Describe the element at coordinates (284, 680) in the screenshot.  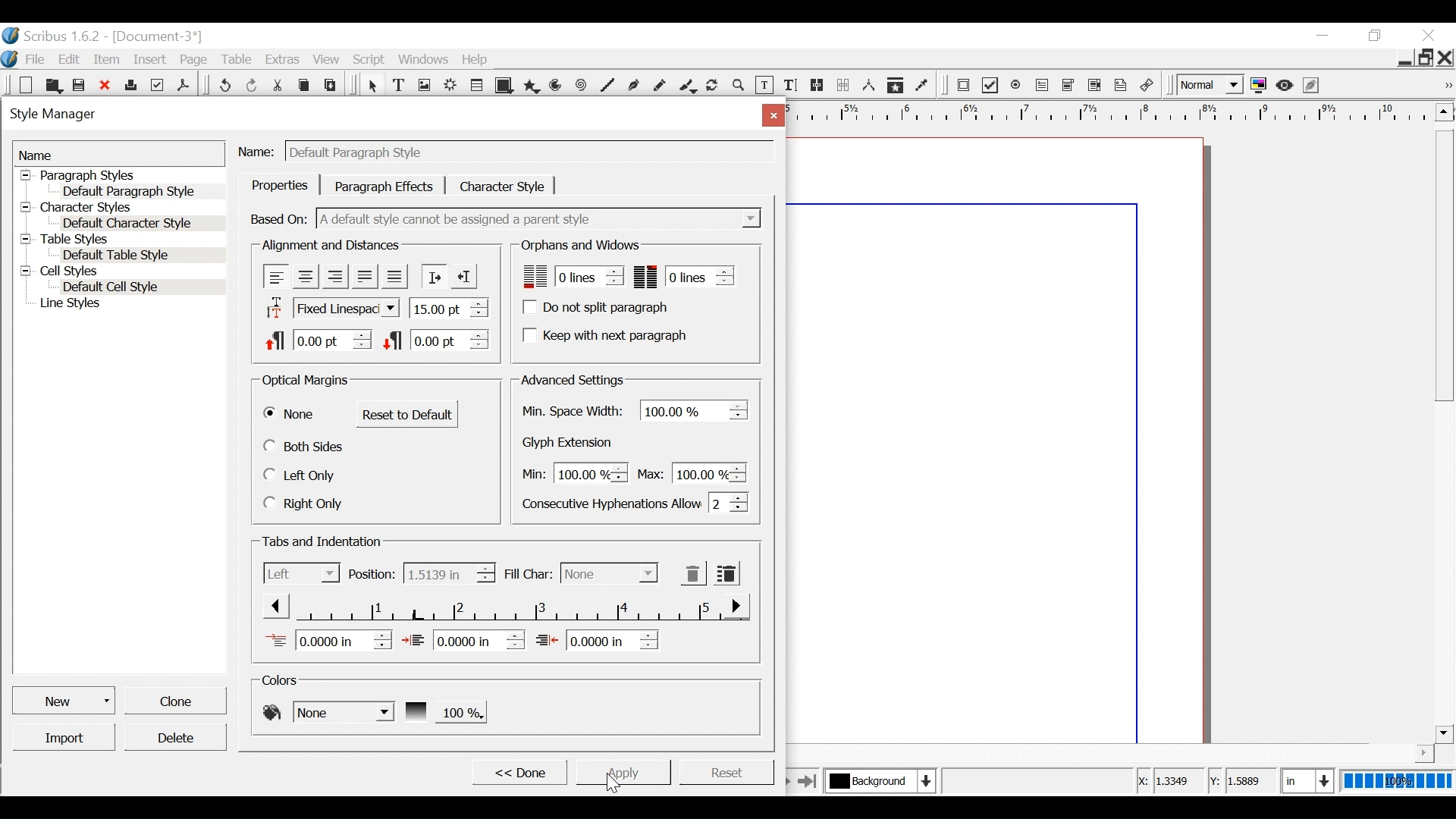
I see `Colors` at that location.